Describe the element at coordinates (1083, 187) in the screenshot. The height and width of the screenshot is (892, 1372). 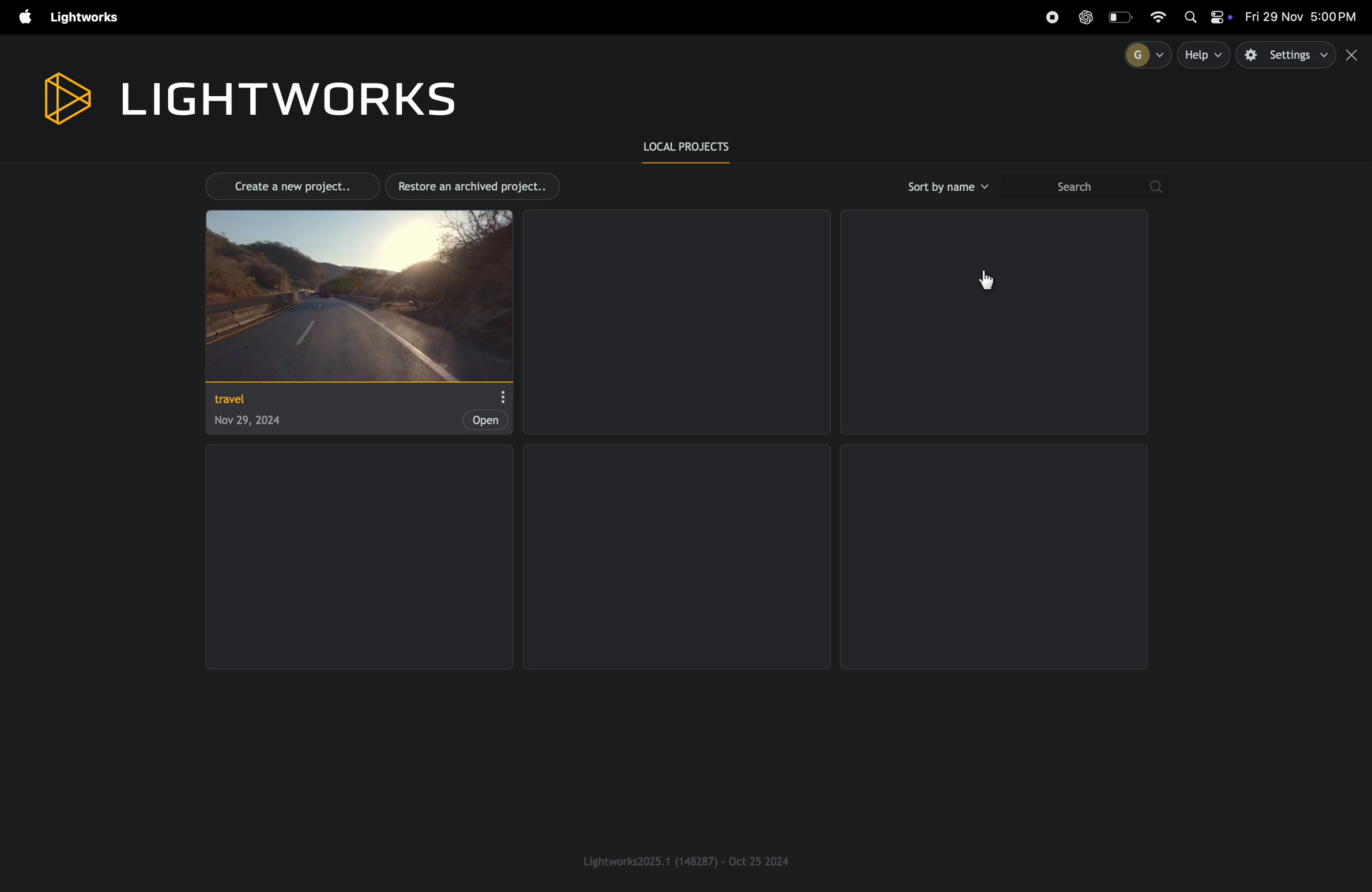
I see `search` at that location.